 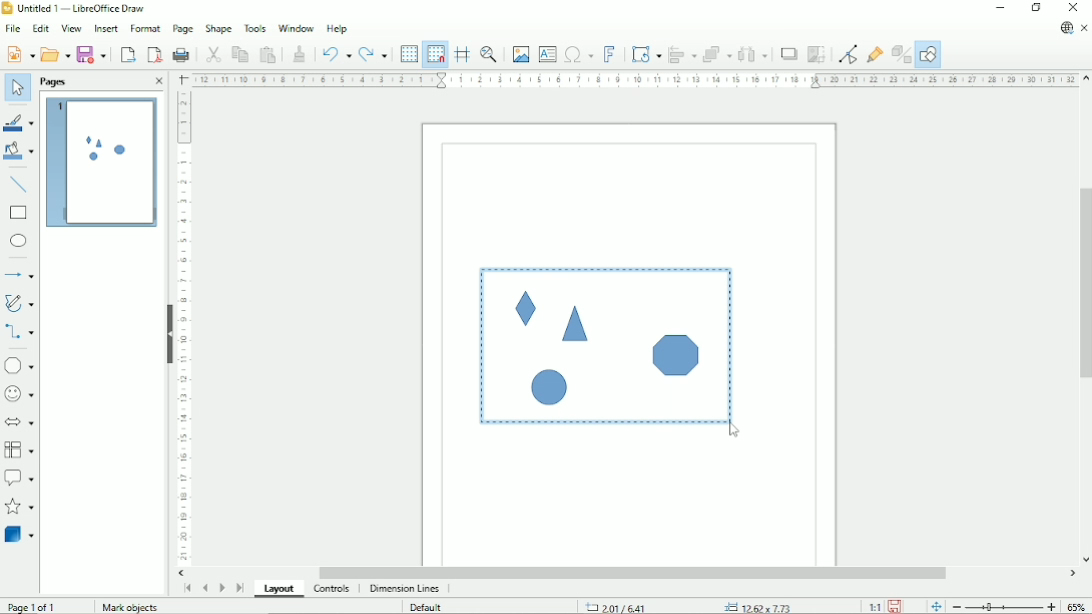 What do you see at coordinates (296, 27) in the screenshot?
I see `Window` at bounding box center [296, 27].